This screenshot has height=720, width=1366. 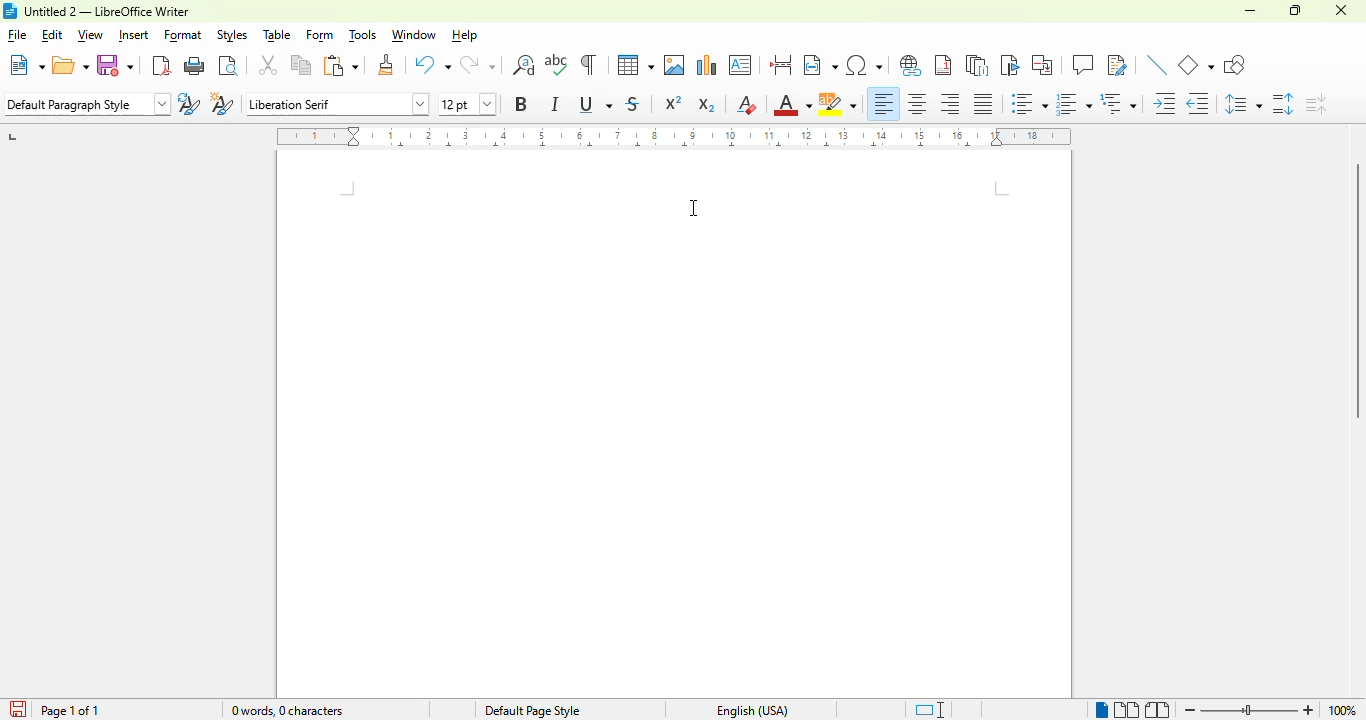 What do you see at coordinates (588, 66) in the screenshot?
I see `toggle formatting marks` at bounding box center [588, 66].